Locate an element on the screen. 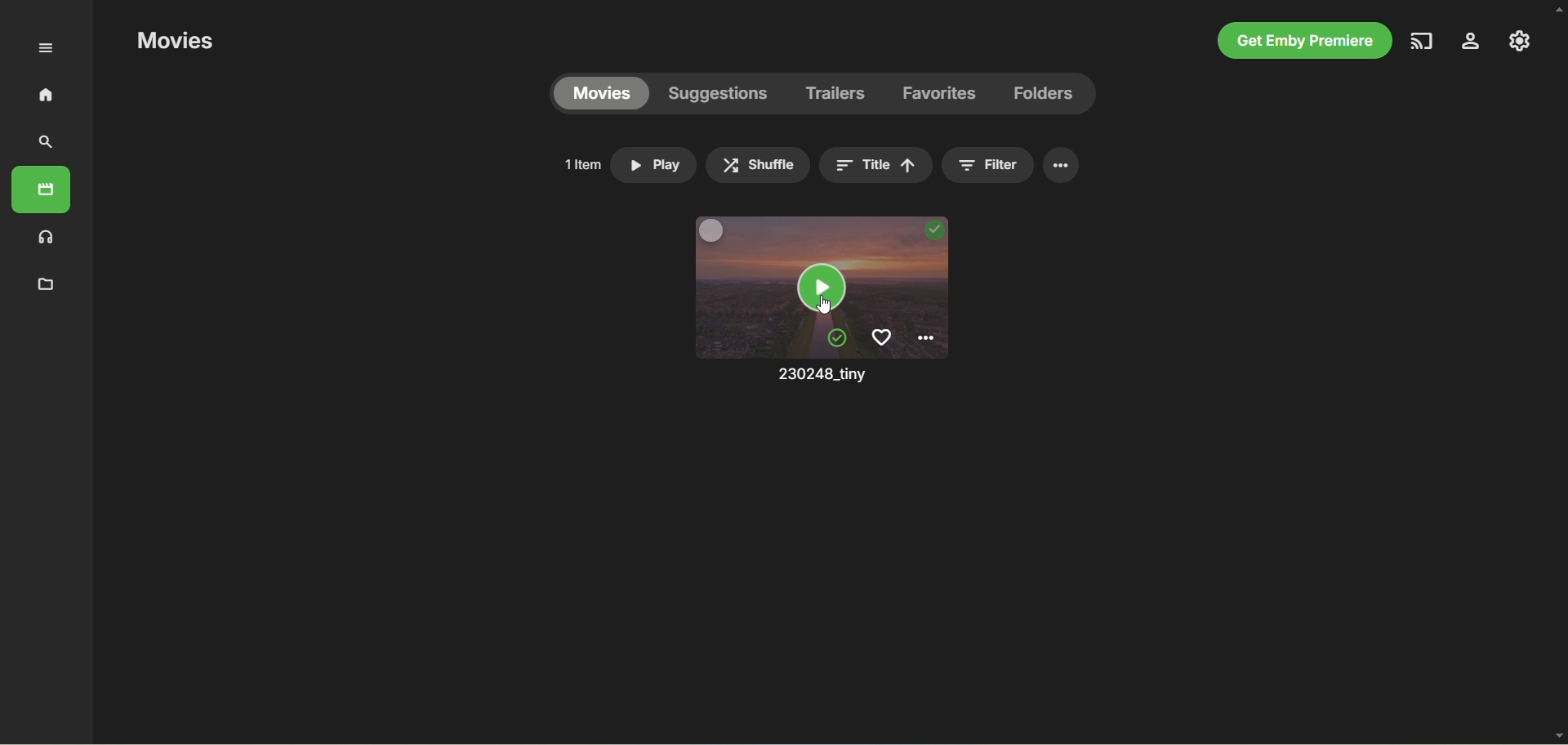 The height and width of the screenshot is (745, 1568). movies is located at coordinates (178, 42).